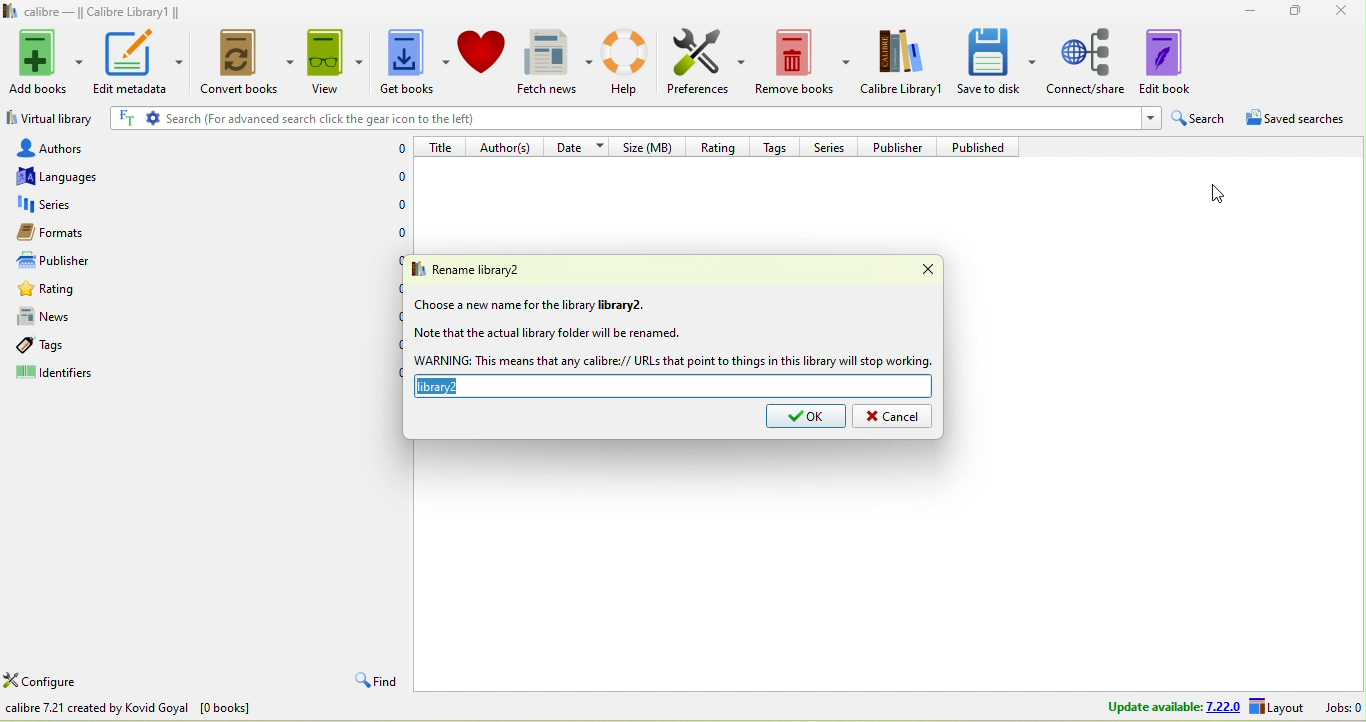  Describe the element at coordinates (391, 287) in the screenshot. I see `0` at that location.